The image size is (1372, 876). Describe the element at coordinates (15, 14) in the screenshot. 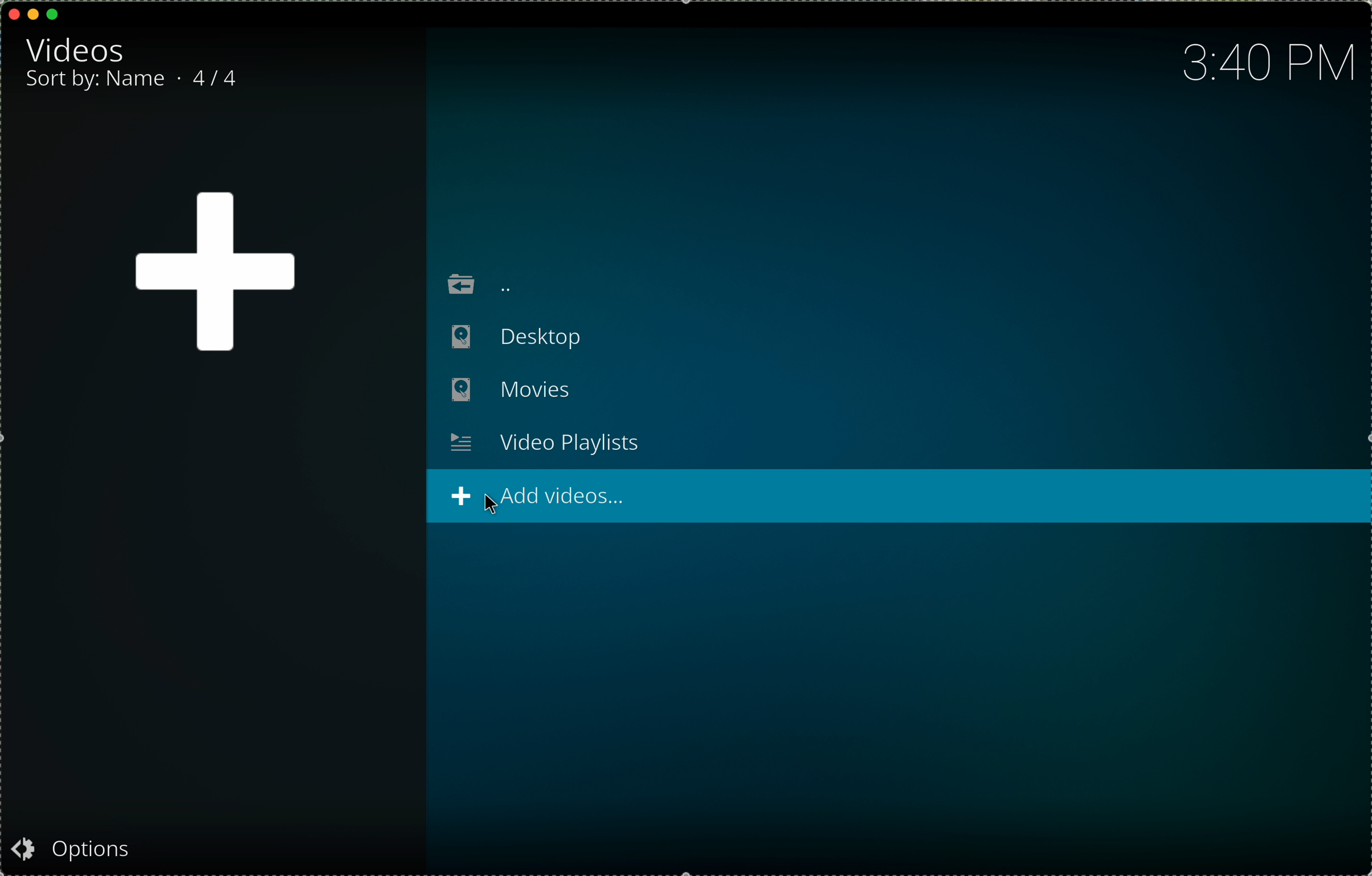

I see `close` at that location.